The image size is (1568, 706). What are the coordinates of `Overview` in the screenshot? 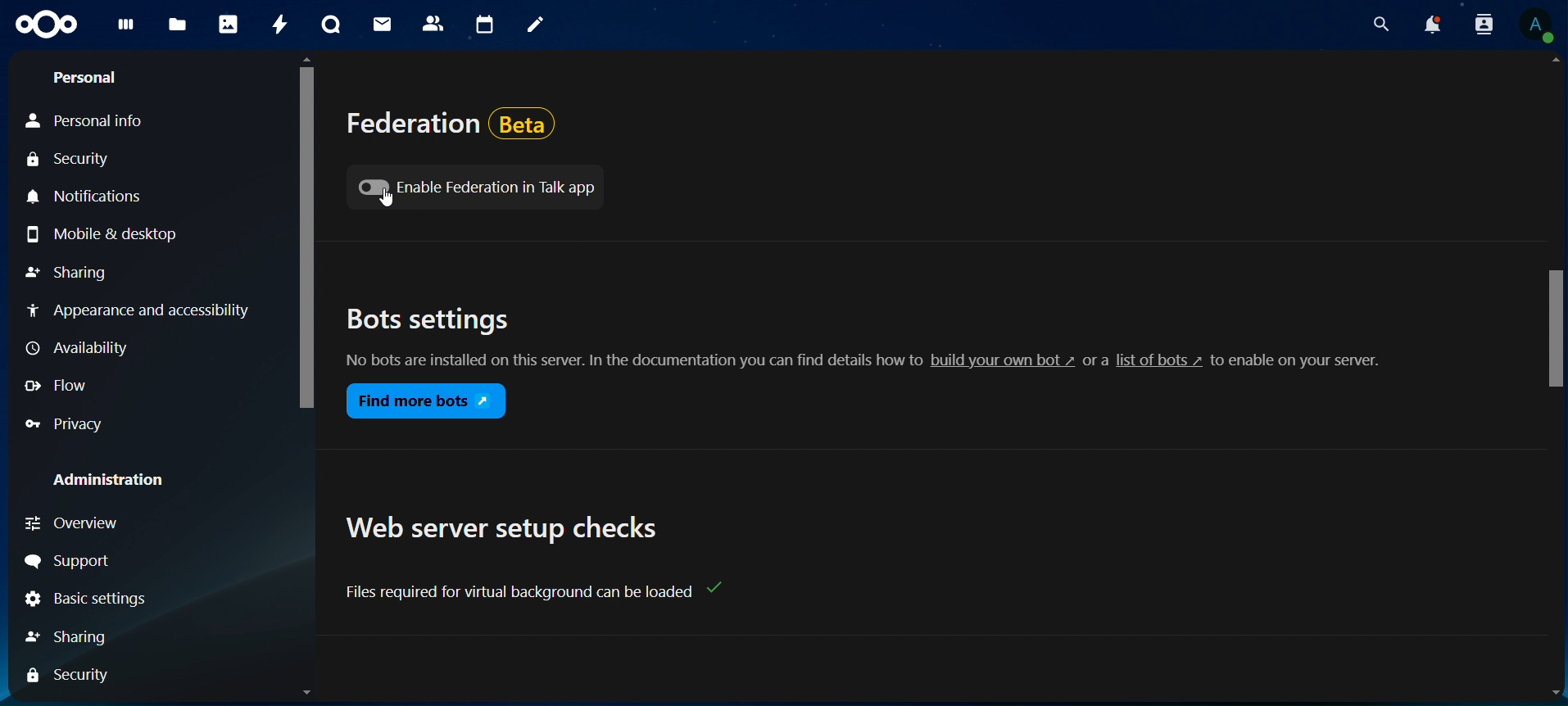 It's located at (73, 526).